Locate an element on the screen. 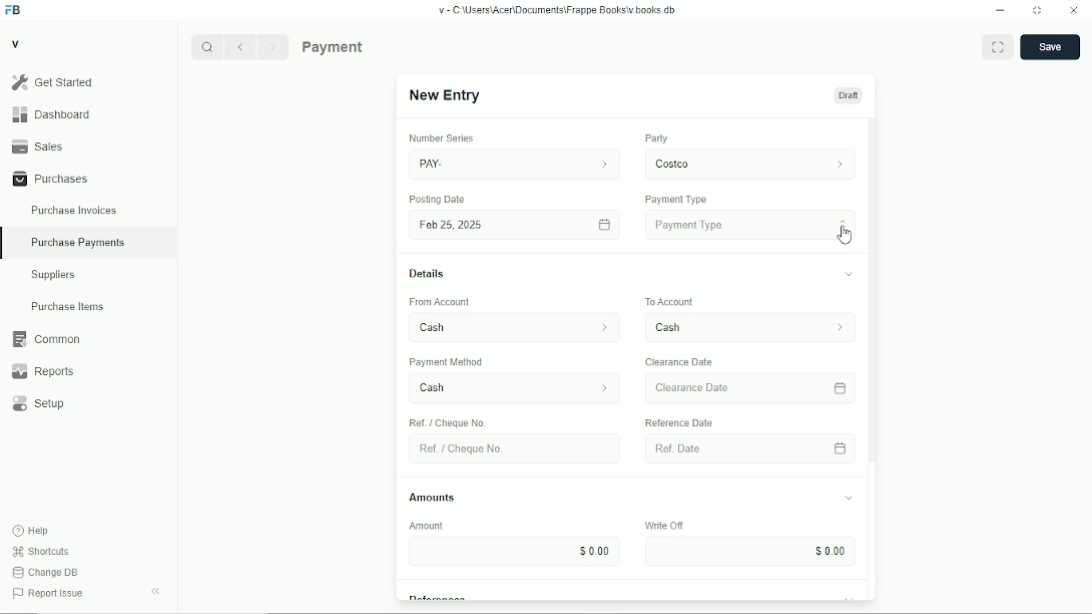 The height and width of the screenshot is (614, 1092). Clearance Date is located at coordinates (736, 388).